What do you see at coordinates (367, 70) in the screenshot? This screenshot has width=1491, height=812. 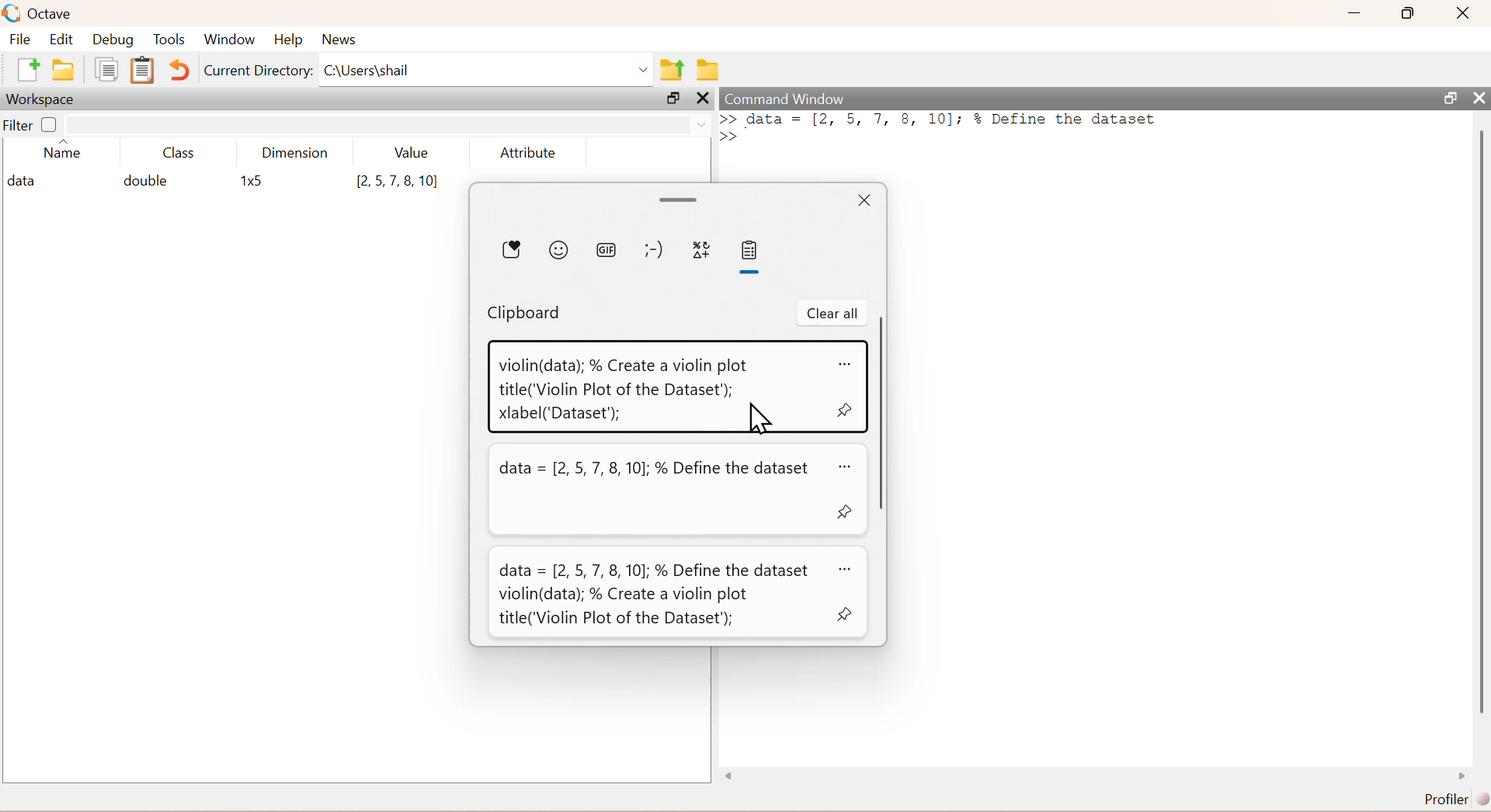 I see `C\Users\shail` at bounding box center [367, 70].